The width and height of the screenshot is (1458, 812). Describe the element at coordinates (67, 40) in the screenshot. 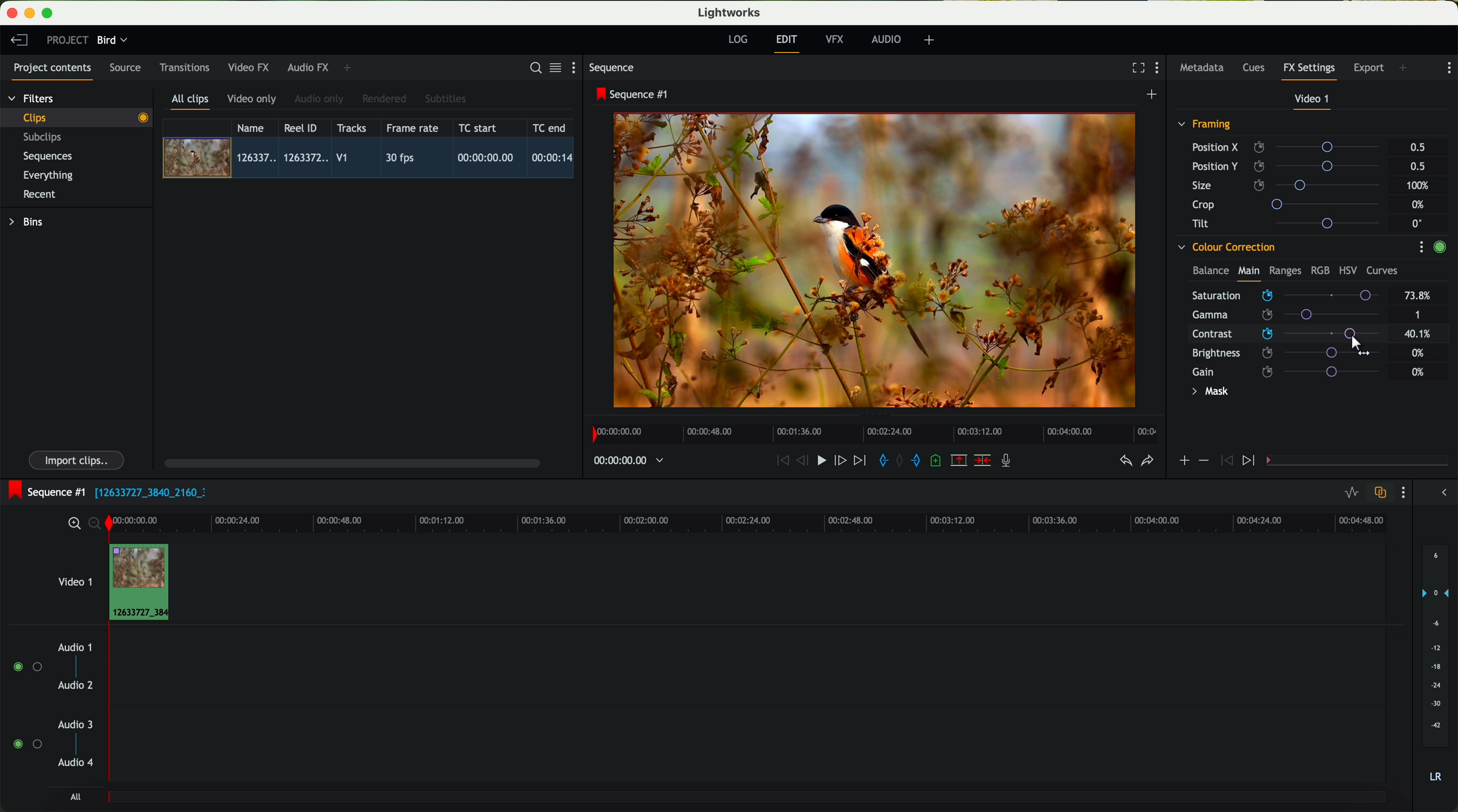

I see `project` at that location.